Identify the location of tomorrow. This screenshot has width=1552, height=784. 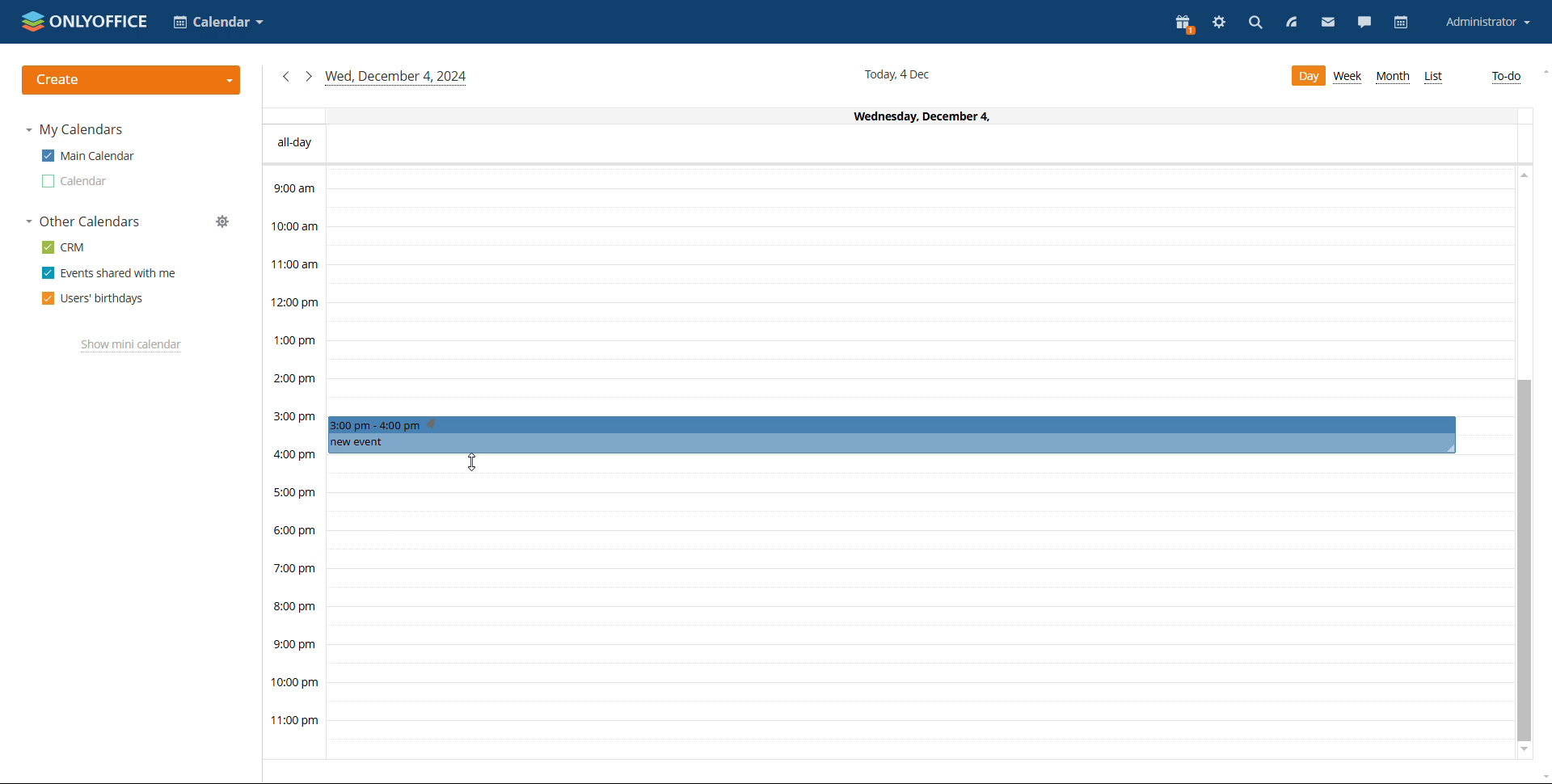
(308, 75).